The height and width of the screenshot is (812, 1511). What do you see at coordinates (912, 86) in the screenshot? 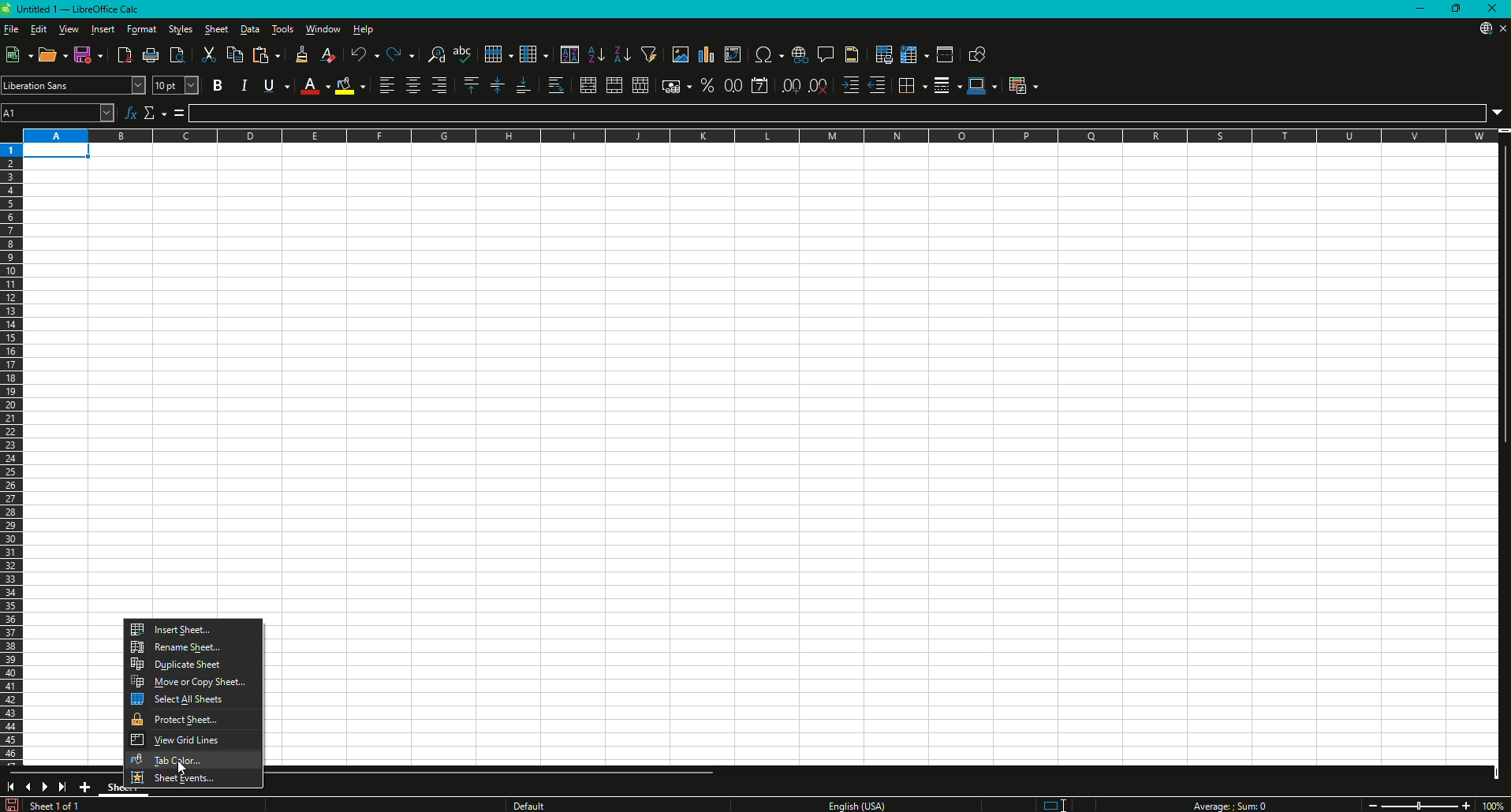
I see `Borders` at bounding box center [912, 86].